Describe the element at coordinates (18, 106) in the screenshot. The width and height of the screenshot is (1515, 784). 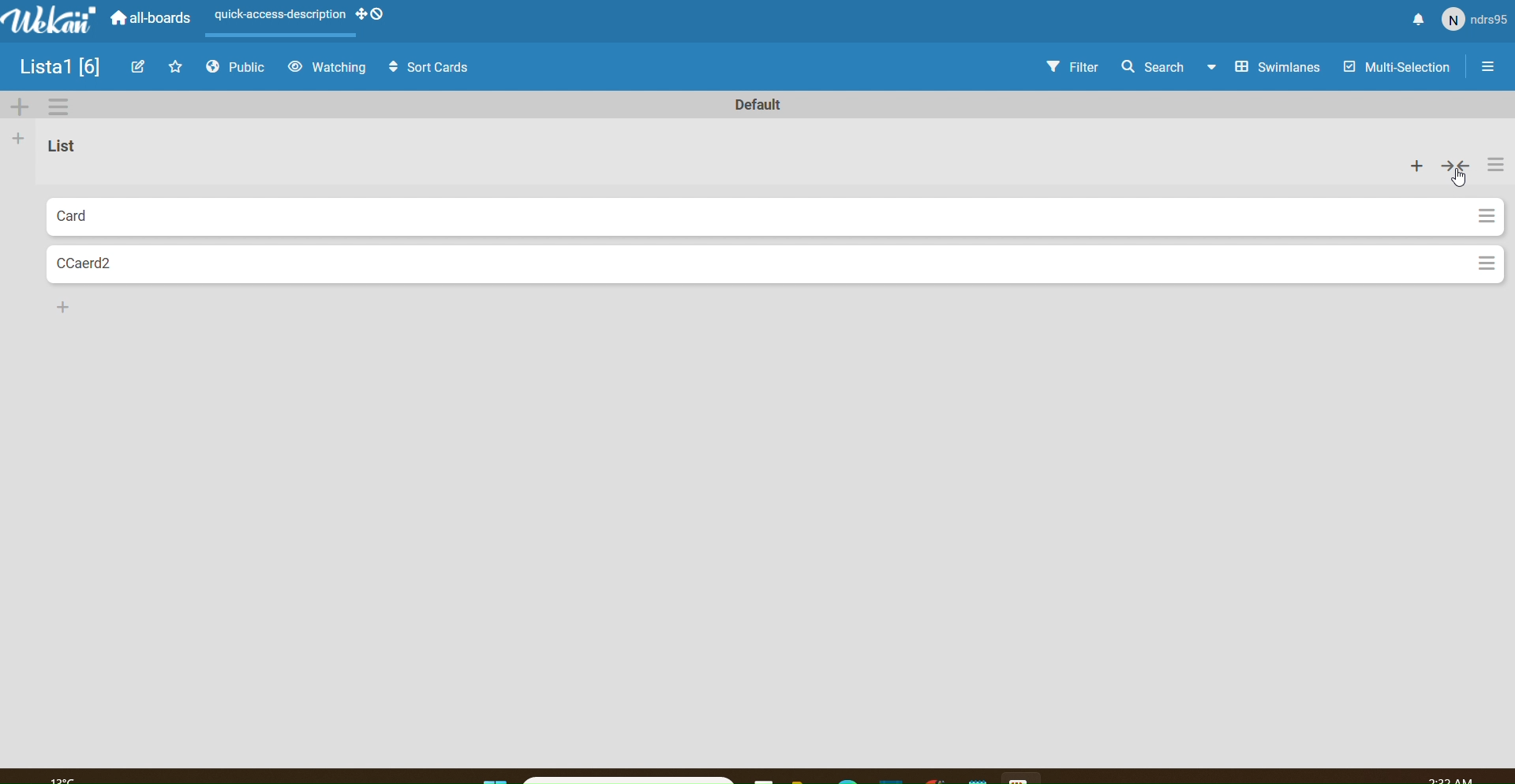
I see `Add` at that location.